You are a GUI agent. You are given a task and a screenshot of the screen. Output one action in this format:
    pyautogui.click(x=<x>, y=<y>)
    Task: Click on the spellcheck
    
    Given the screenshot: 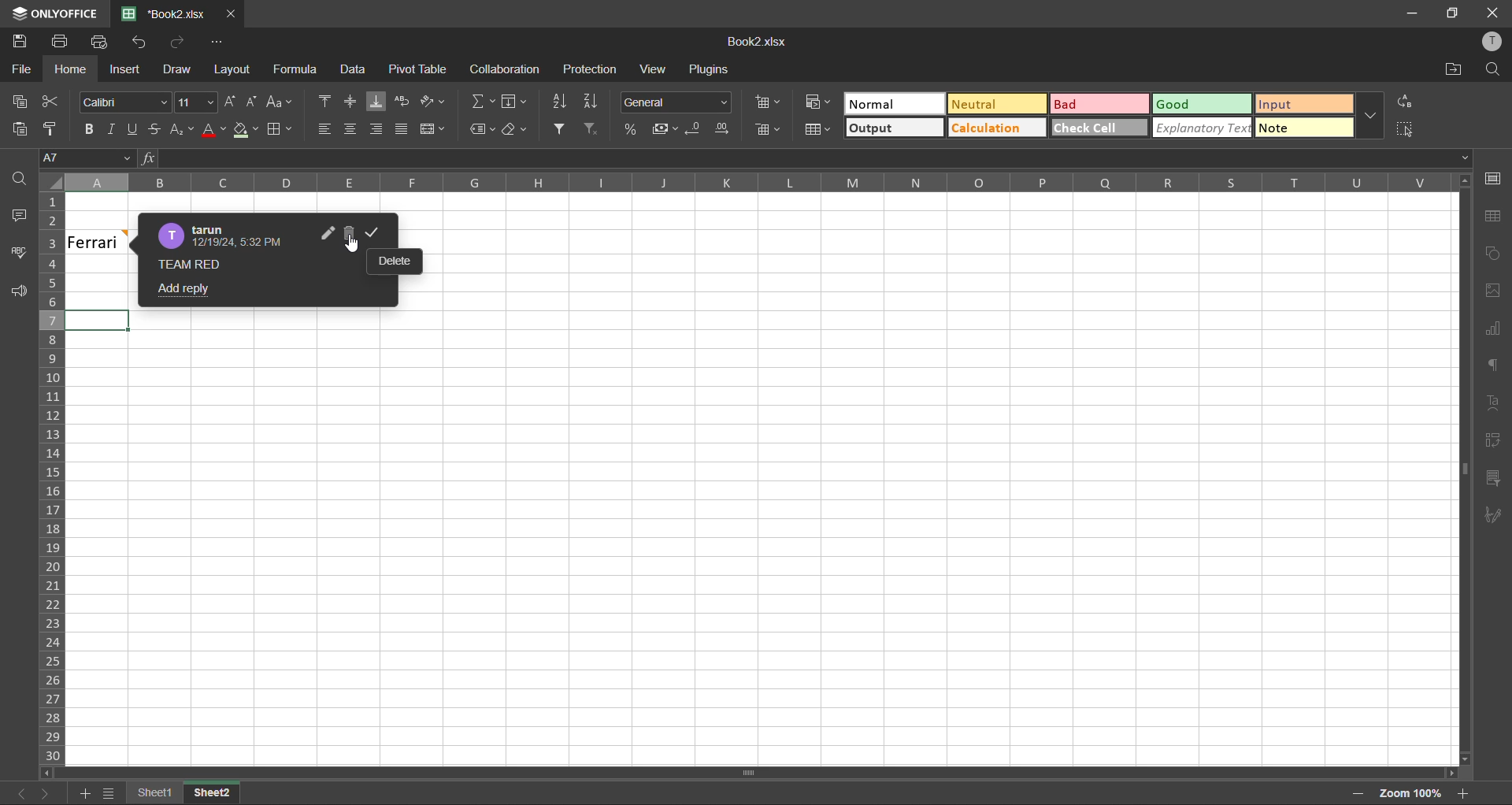 What is the action you would take?
    pyautogui.click(x=19, y=253)
    